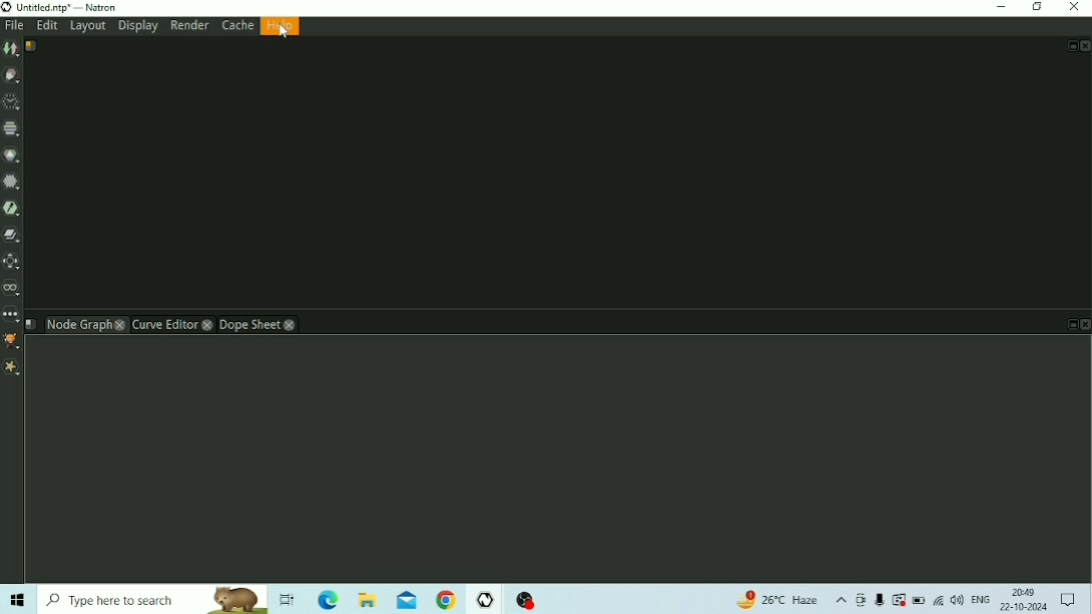 This screenshot has width=1092, height=614. What do you see at coordinates (446, 600) in the screenshot?
I see `Google Chrome` at bounding box center [446, 600].